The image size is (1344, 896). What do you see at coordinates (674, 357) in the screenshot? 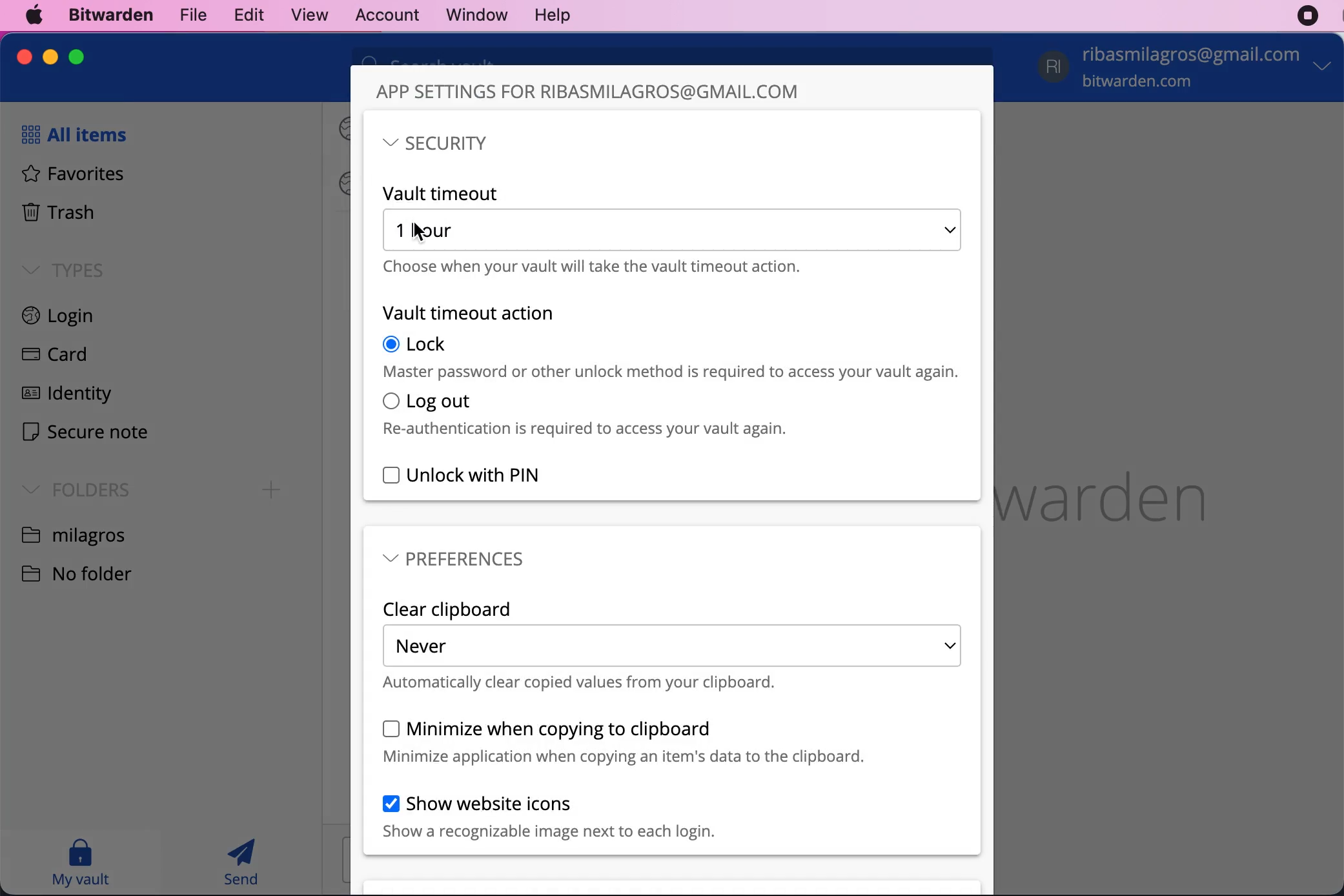
I see `lock` at bounding box center [674, 357].